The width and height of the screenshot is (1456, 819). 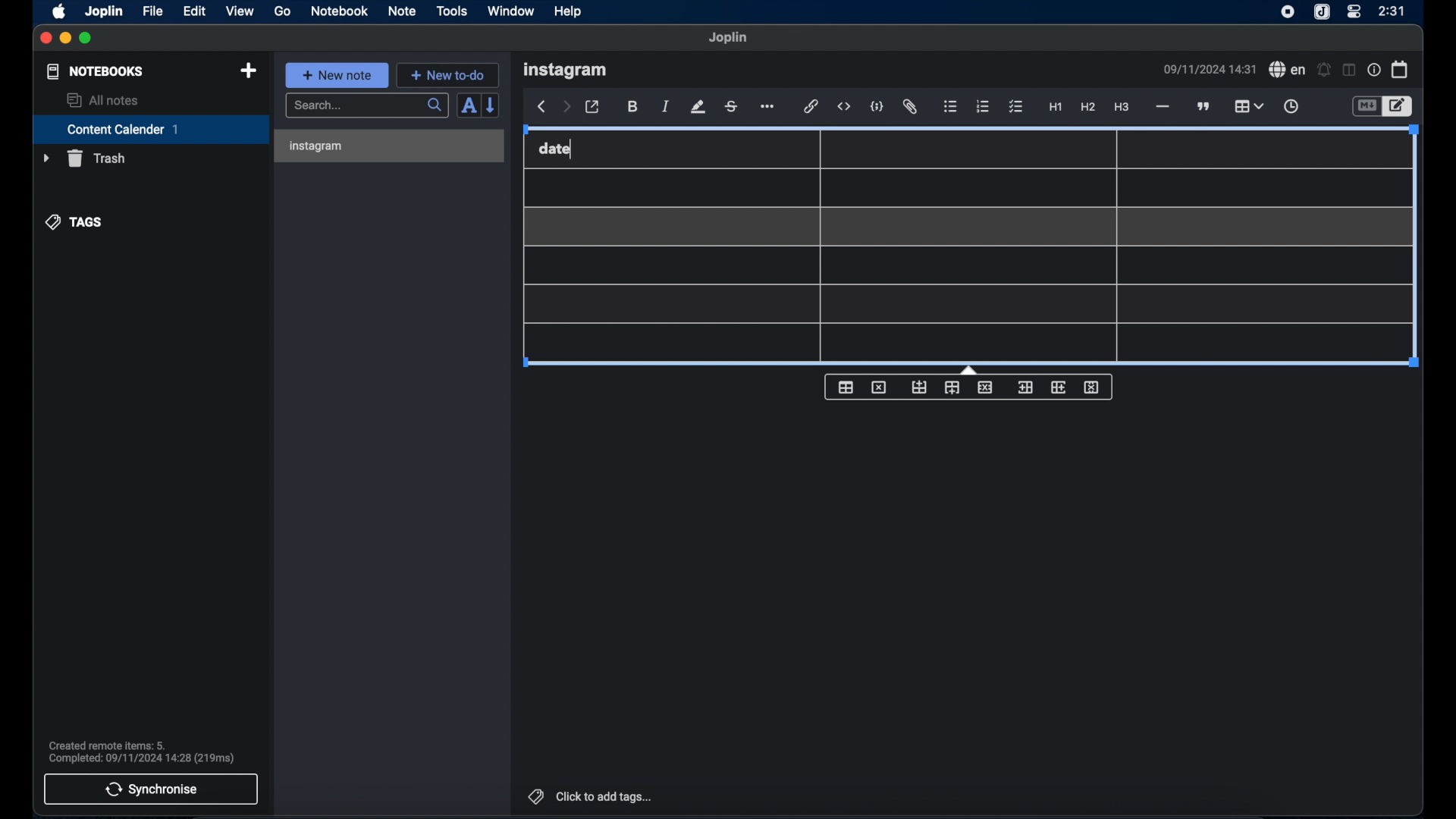 I want to click on new notebook, so click(x=249, y=71).